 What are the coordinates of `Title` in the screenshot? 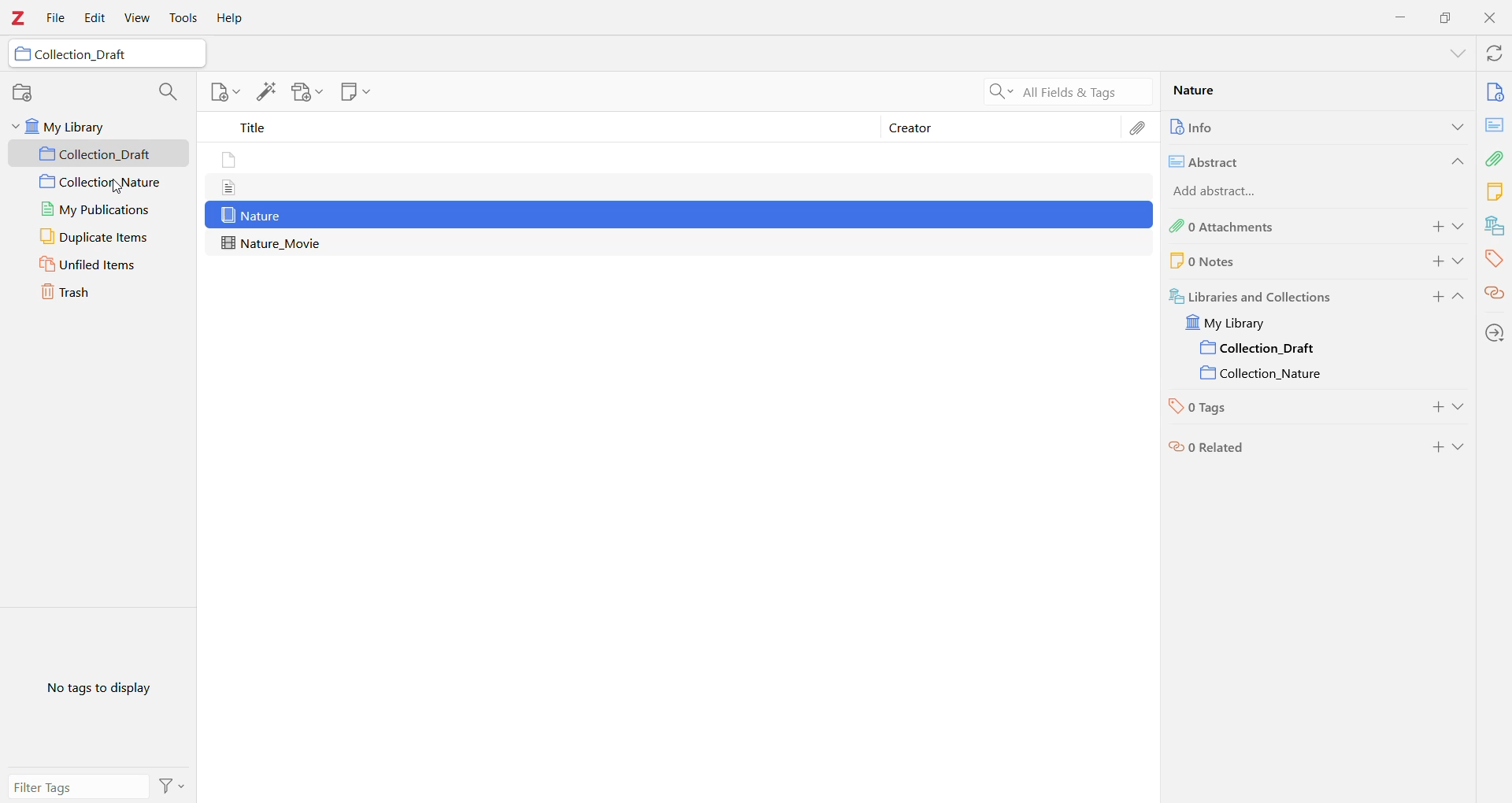 It's located at (543, 130).